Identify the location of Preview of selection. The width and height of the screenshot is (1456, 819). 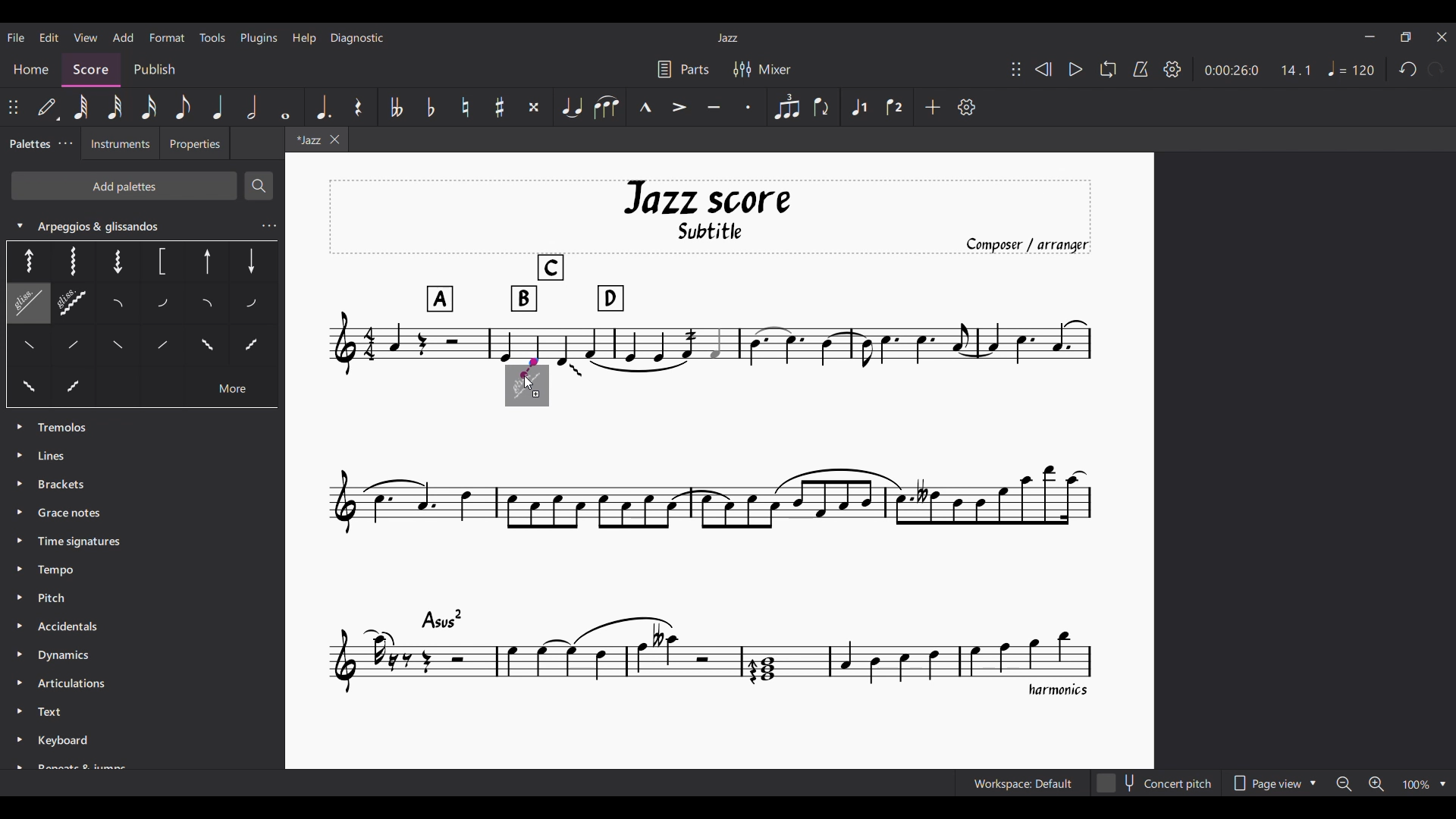
(526, 385).